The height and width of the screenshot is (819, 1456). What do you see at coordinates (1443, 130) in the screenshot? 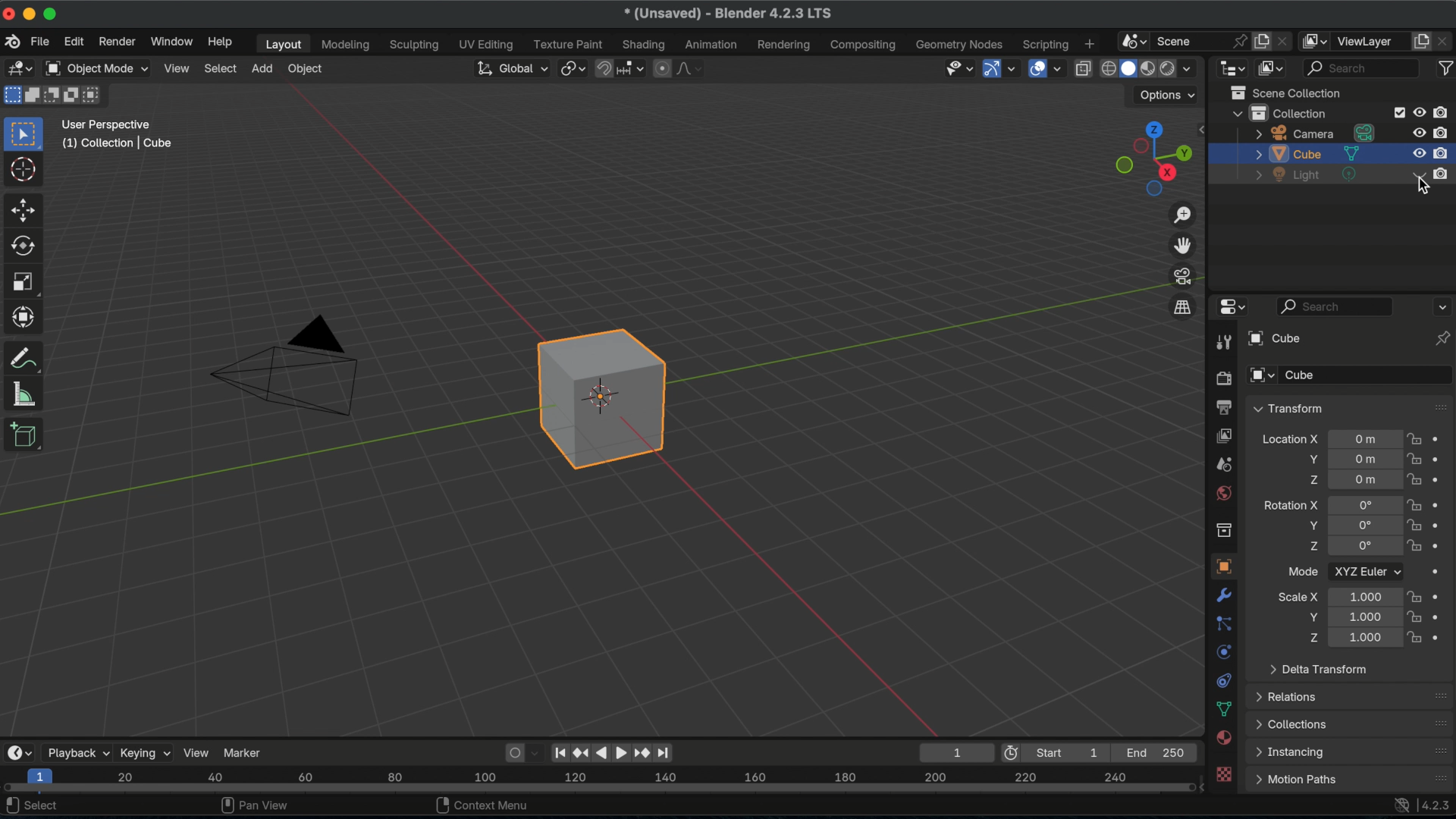
I see `disable in renders` at bounding box center [1443, 130].